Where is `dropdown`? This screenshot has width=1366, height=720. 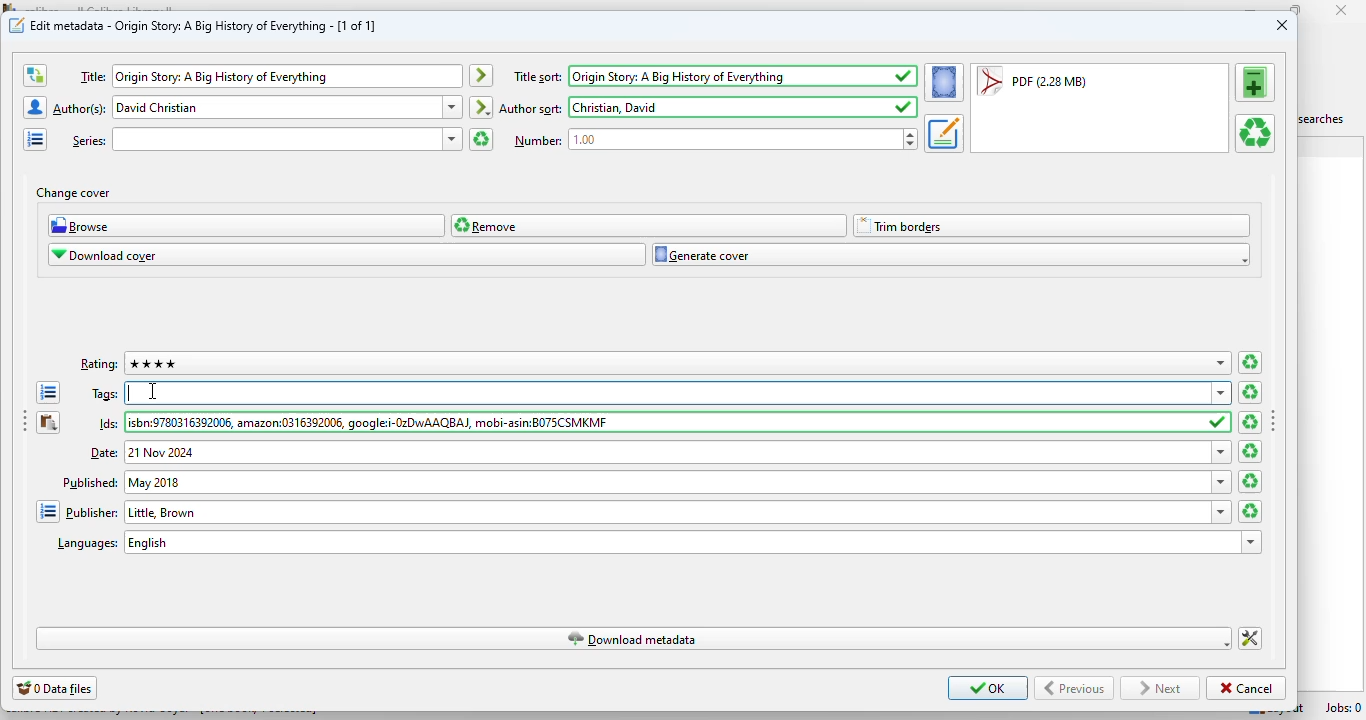
dropdown is located at coordinates (1252, 543).